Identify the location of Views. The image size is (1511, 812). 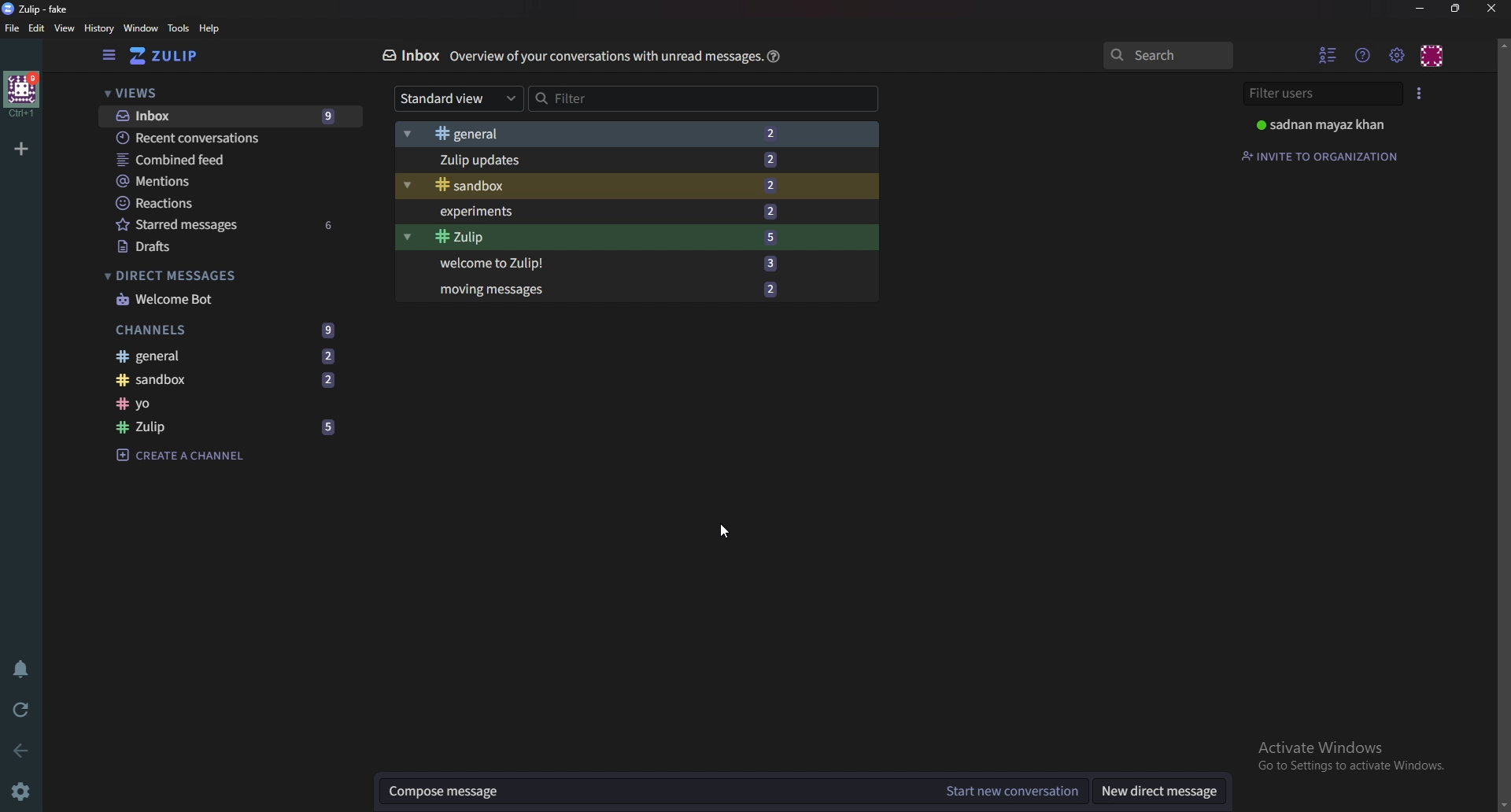
(153, 93).